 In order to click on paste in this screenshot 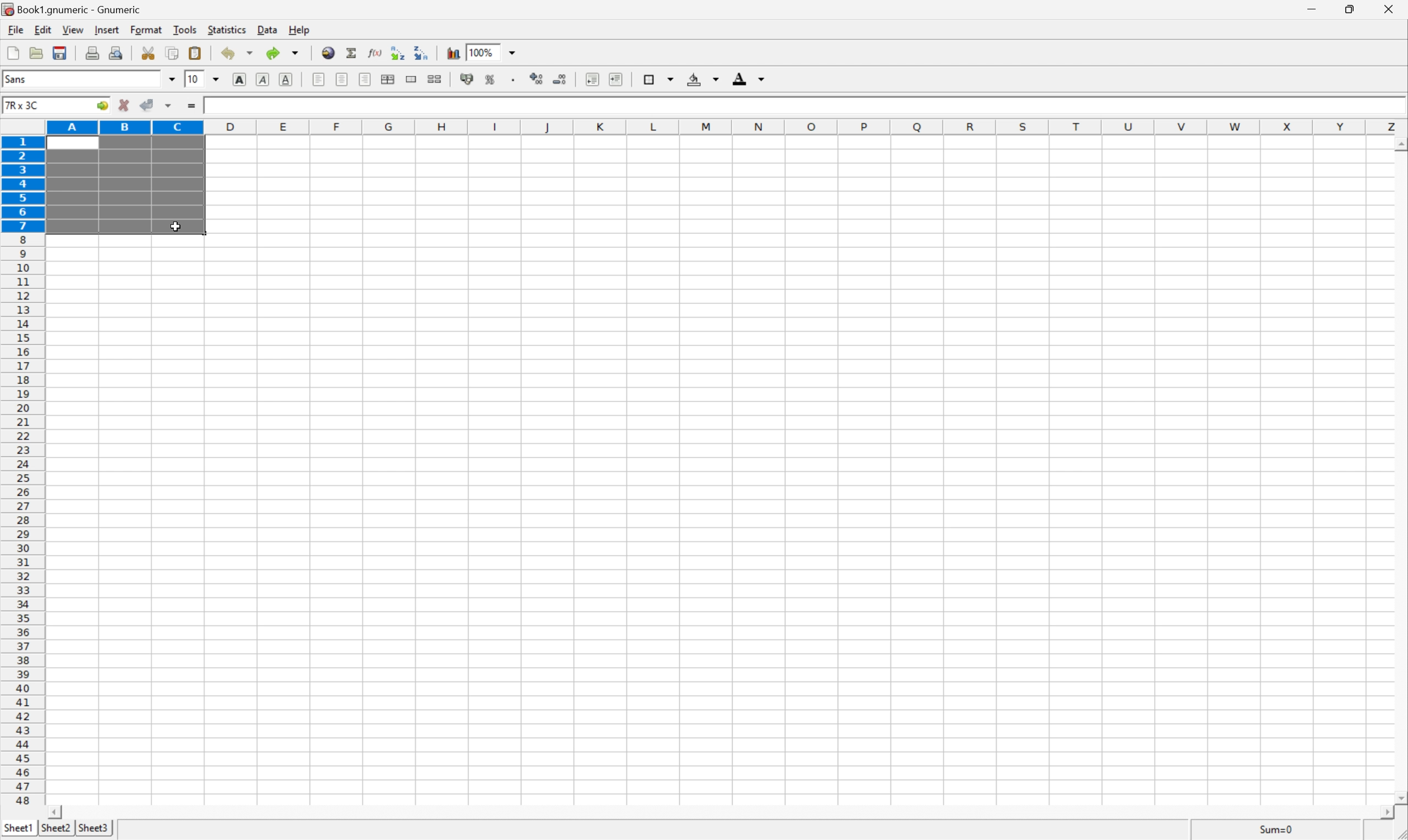, I will do `click(195, 52)`.